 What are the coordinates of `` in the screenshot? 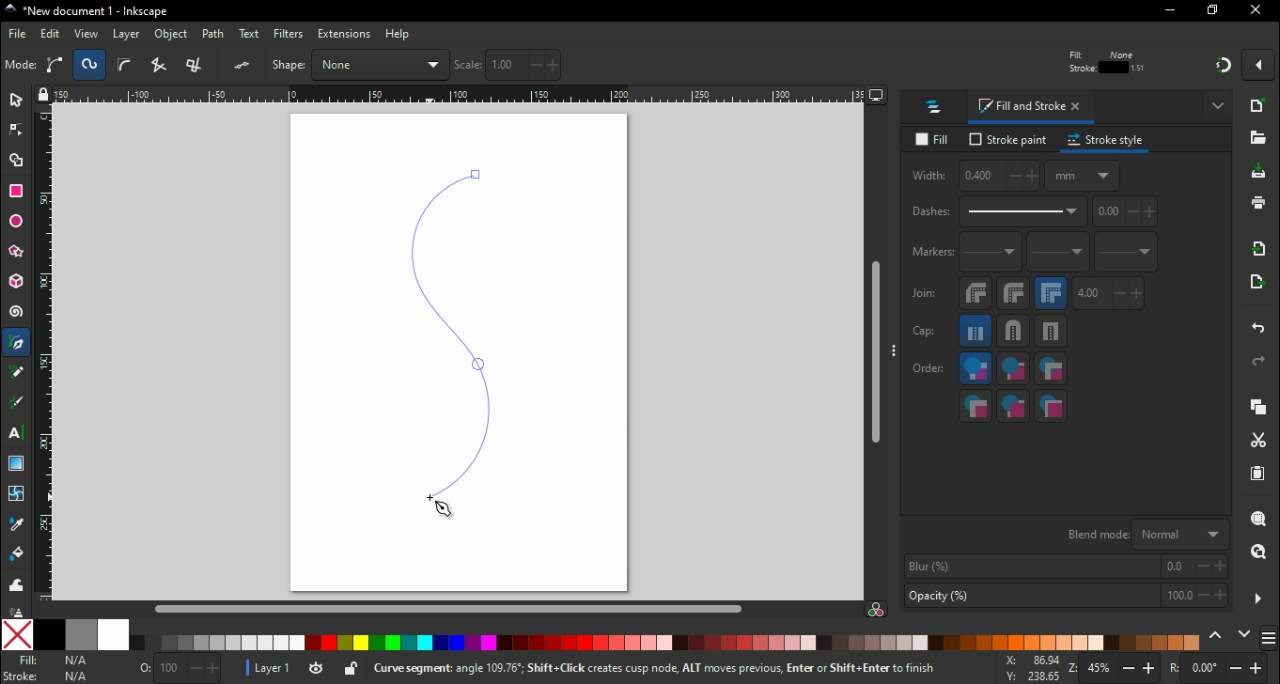 It's located at (15, 611).